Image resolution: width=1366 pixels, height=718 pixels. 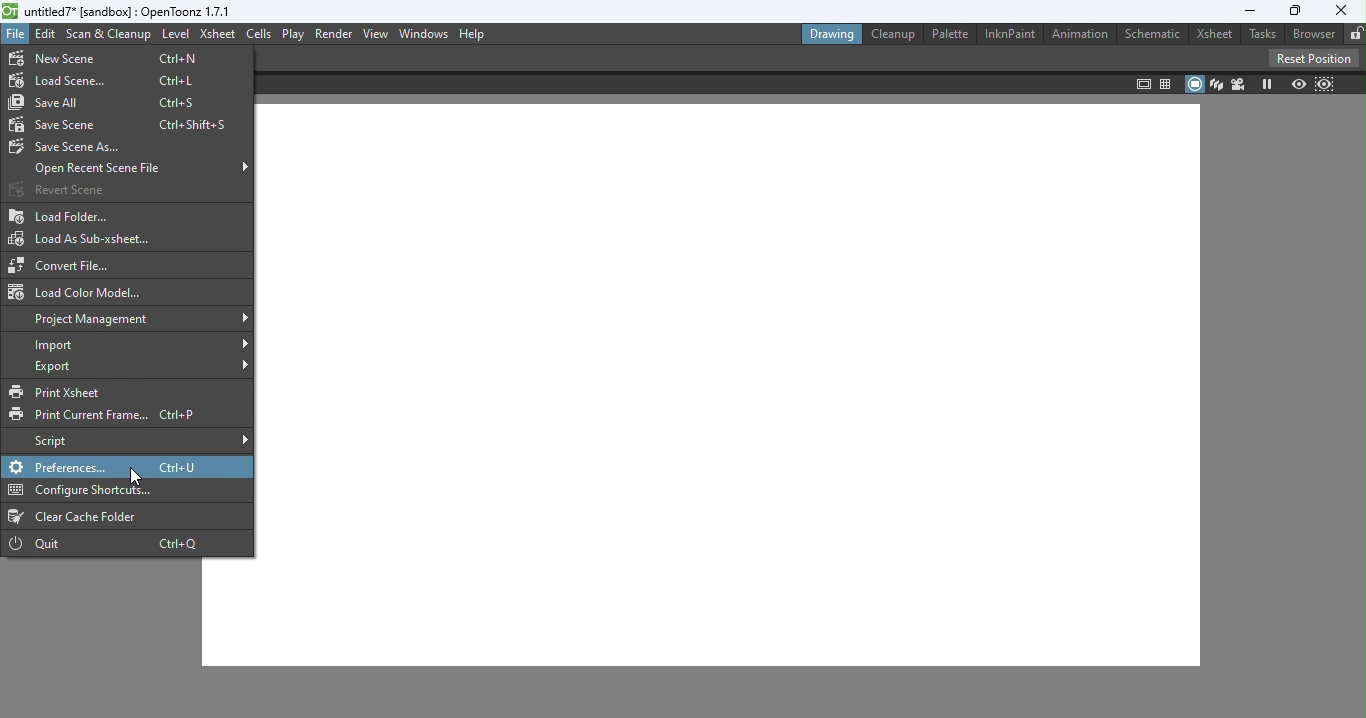 What do you see at coordinates (216, 36) in the screenshot?
I see `Xsheet` at bounding box center [216, 36].